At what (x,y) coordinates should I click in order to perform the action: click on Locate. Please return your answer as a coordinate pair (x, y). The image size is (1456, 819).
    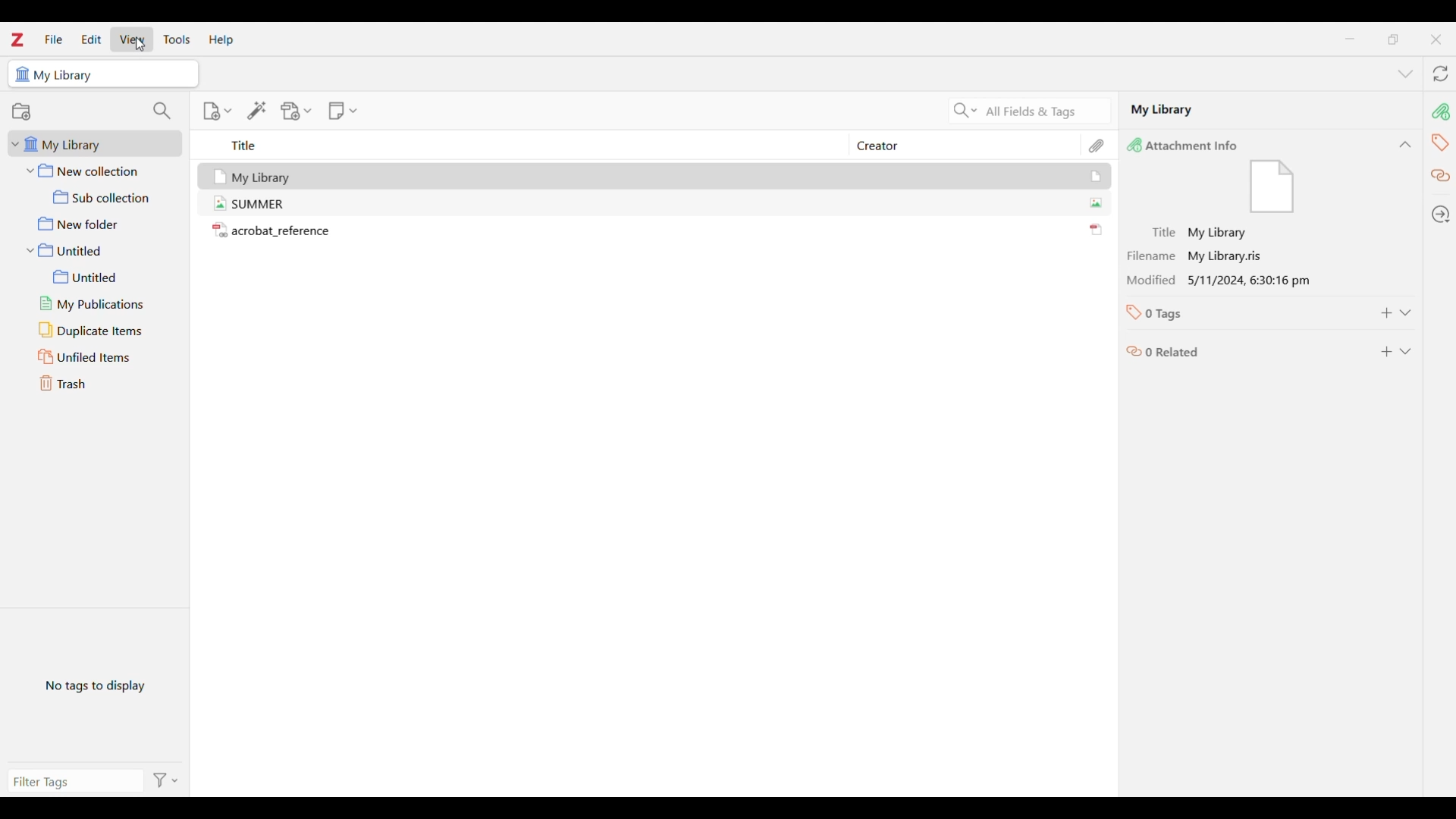
    Looking at the image, I should click on (1441, 215).